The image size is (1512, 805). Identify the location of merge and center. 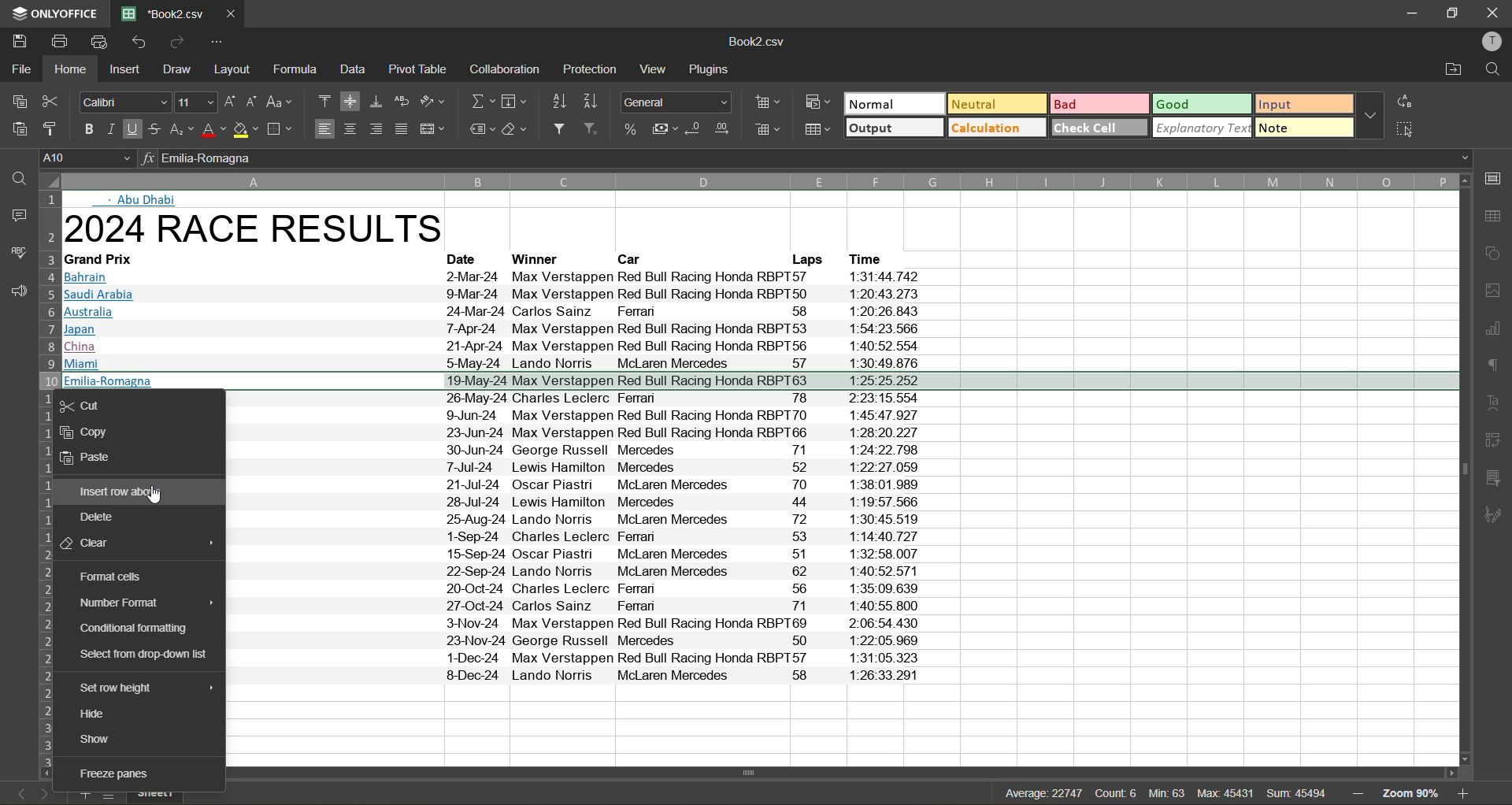
(434, 129).